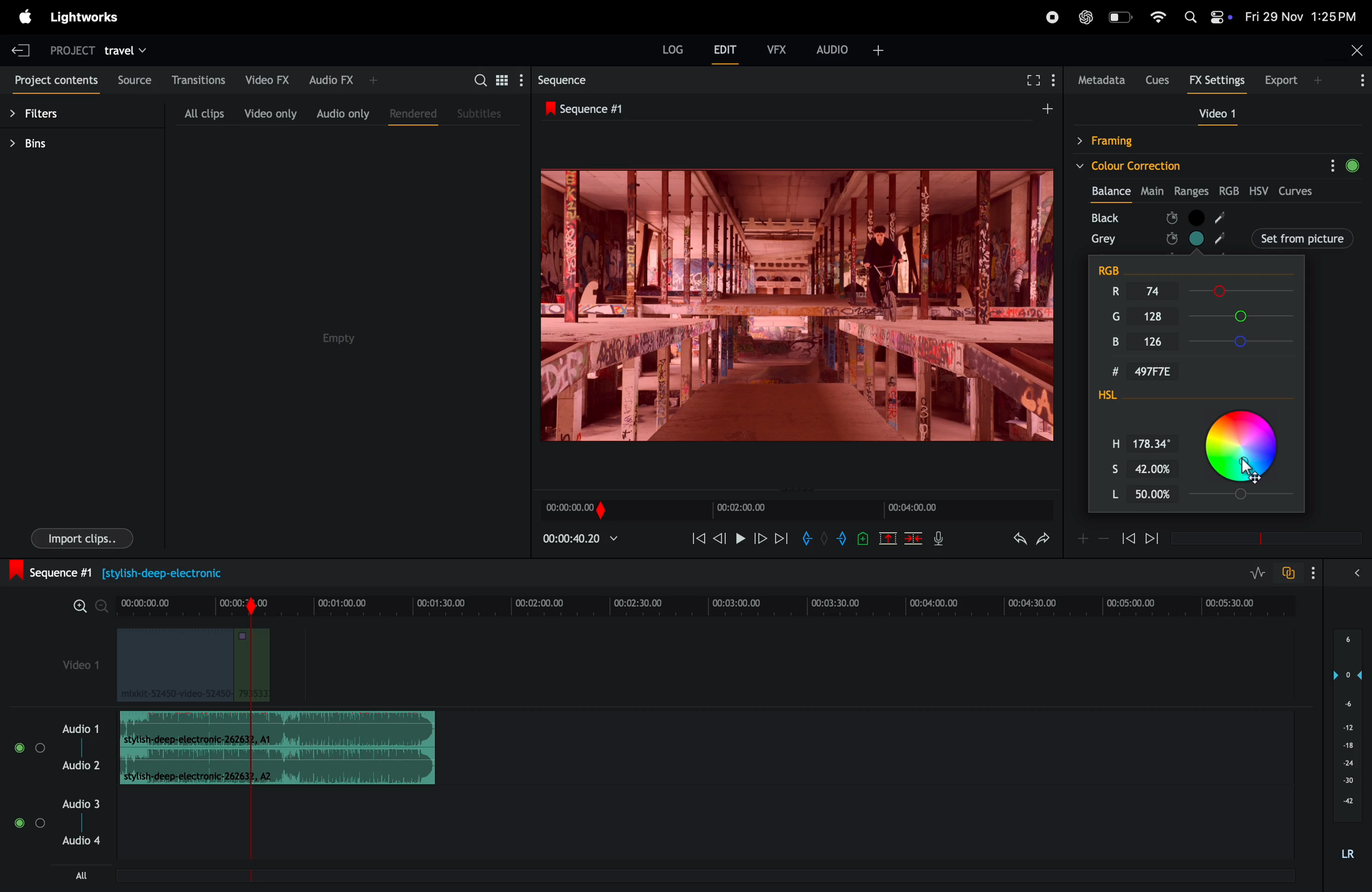 The width and height of the screenshot is (1372, 892). Describe the element at coordinates (887, 540) in the screenshot. I see `cut` at that location.